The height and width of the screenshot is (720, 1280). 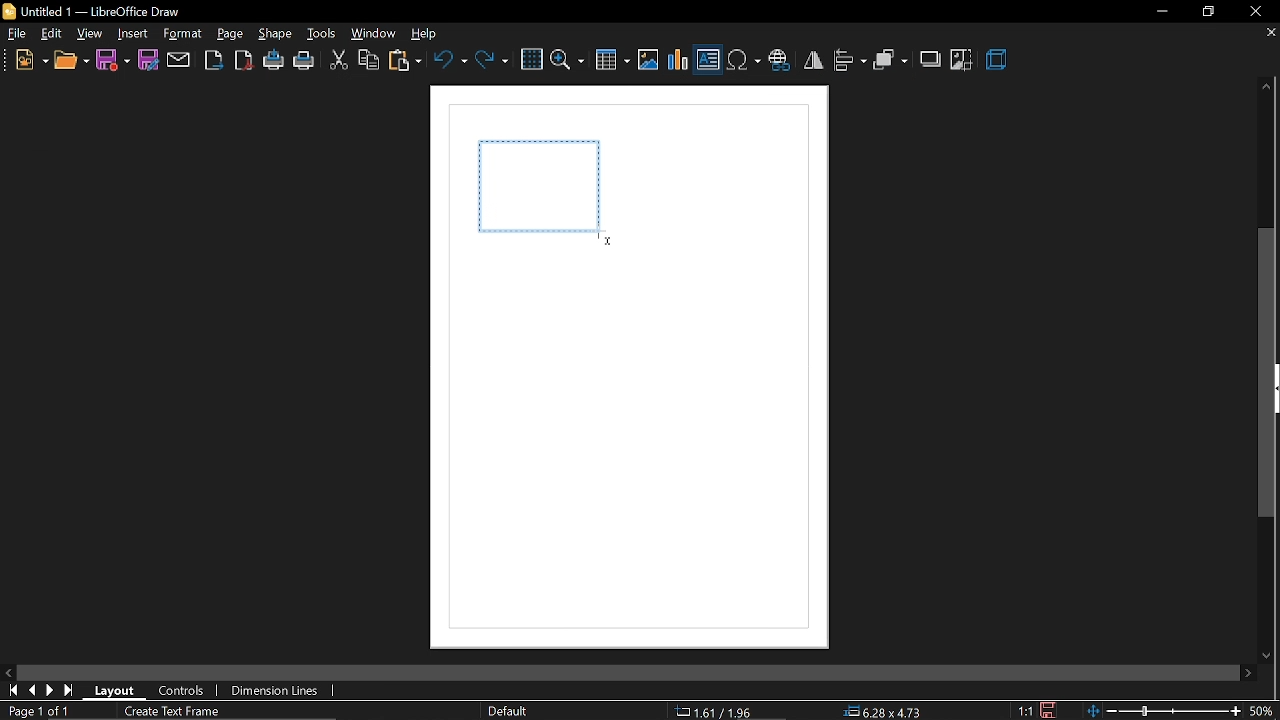 I want to click on zoom, so click(x=568, y=59).